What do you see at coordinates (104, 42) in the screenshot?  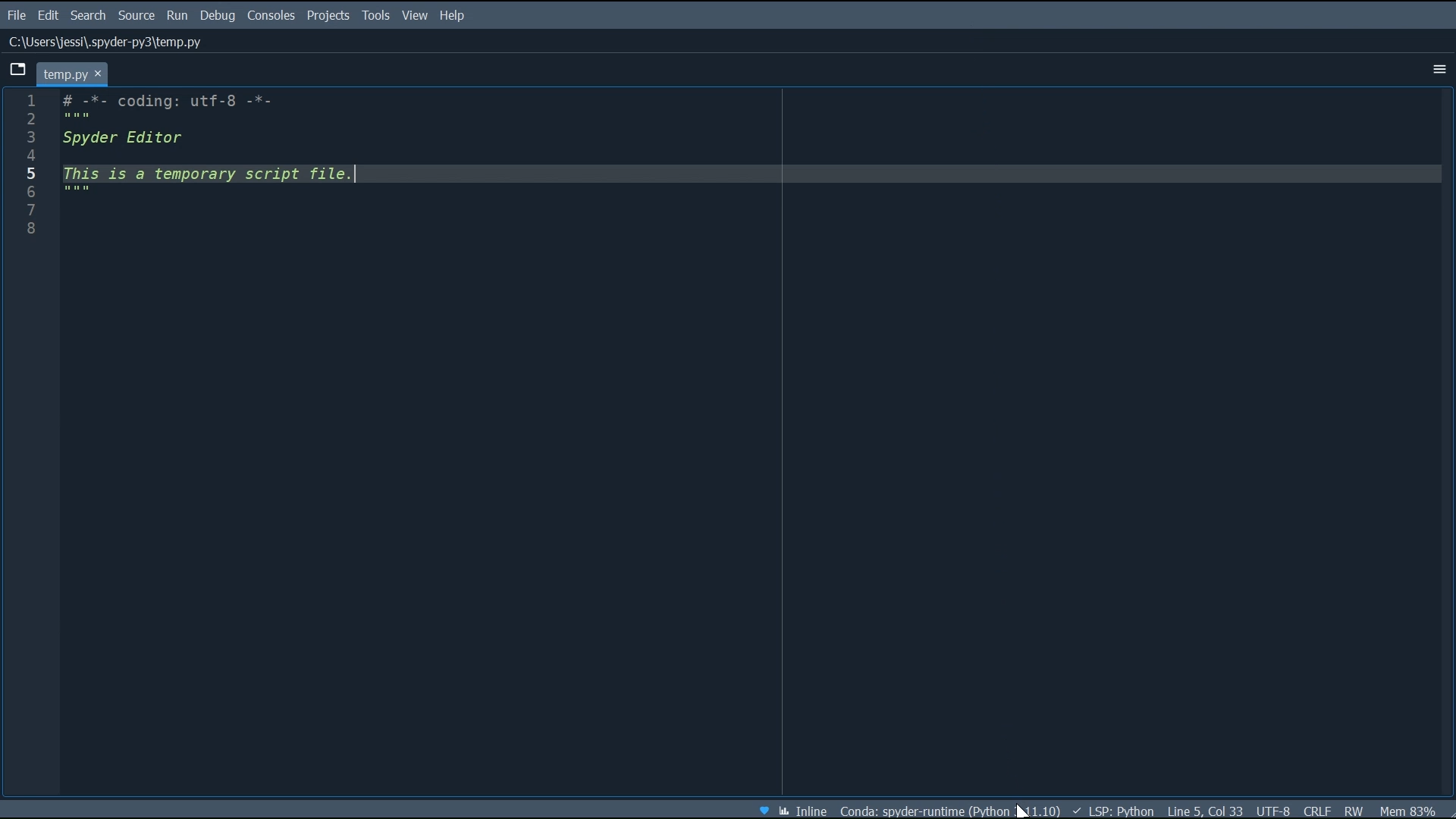 I see `File Path` at bounding box center [104, 42].